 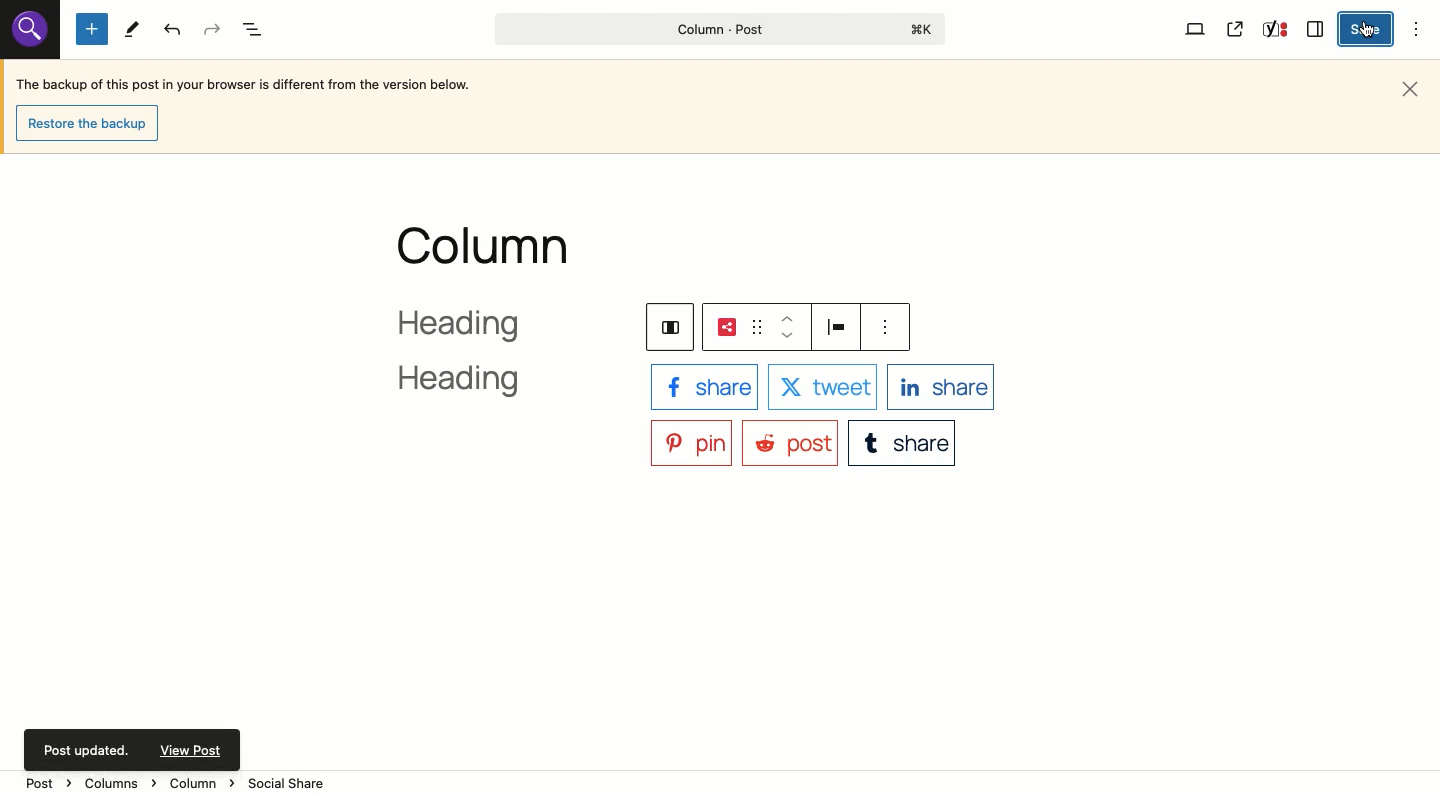 I want to click on Options, so click(x=1418, y=28).